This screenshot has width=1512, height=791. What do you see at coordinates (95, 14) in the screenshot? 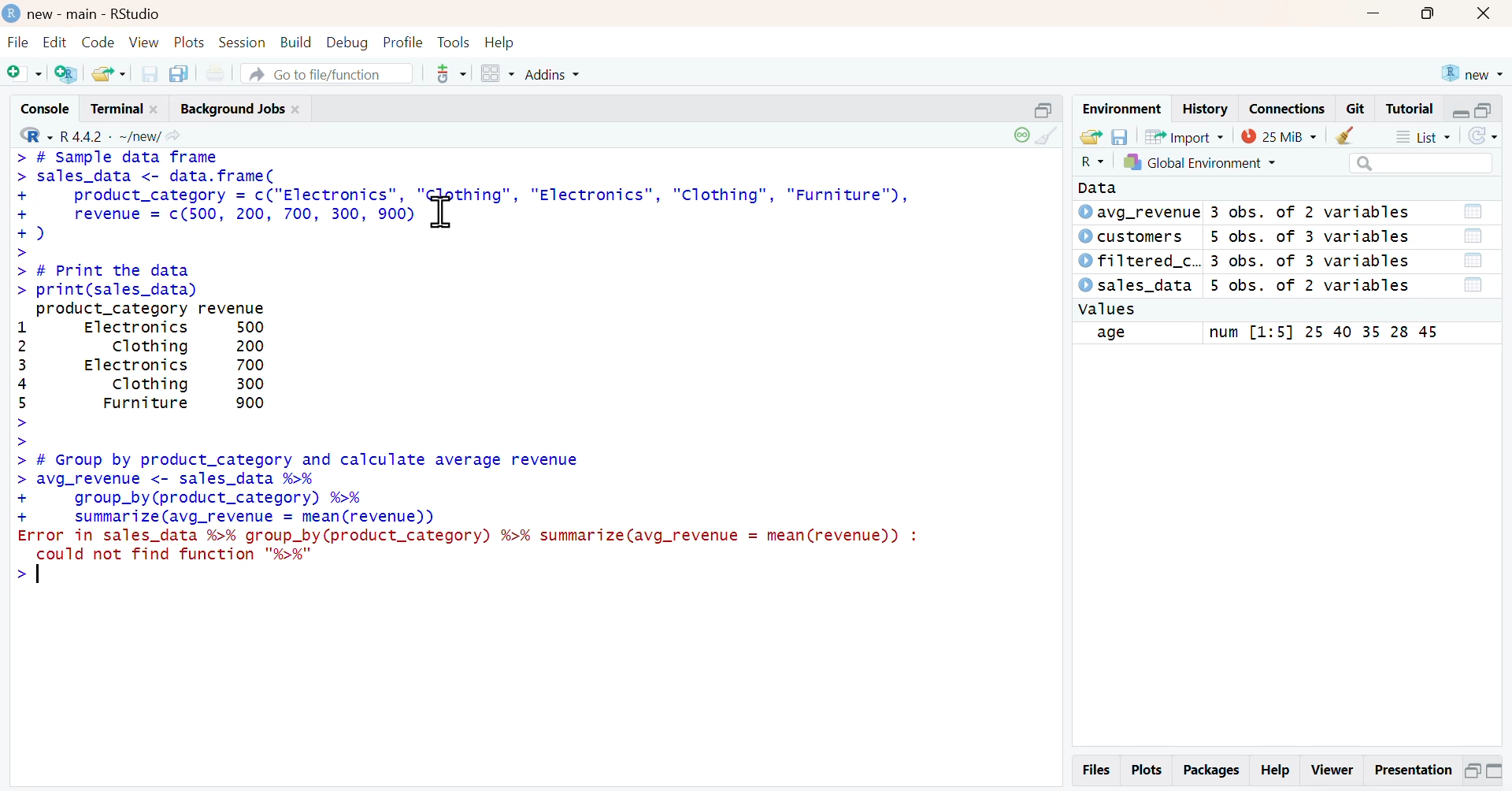
I see `new - main - RStudio` at bounding box center [95, 14].